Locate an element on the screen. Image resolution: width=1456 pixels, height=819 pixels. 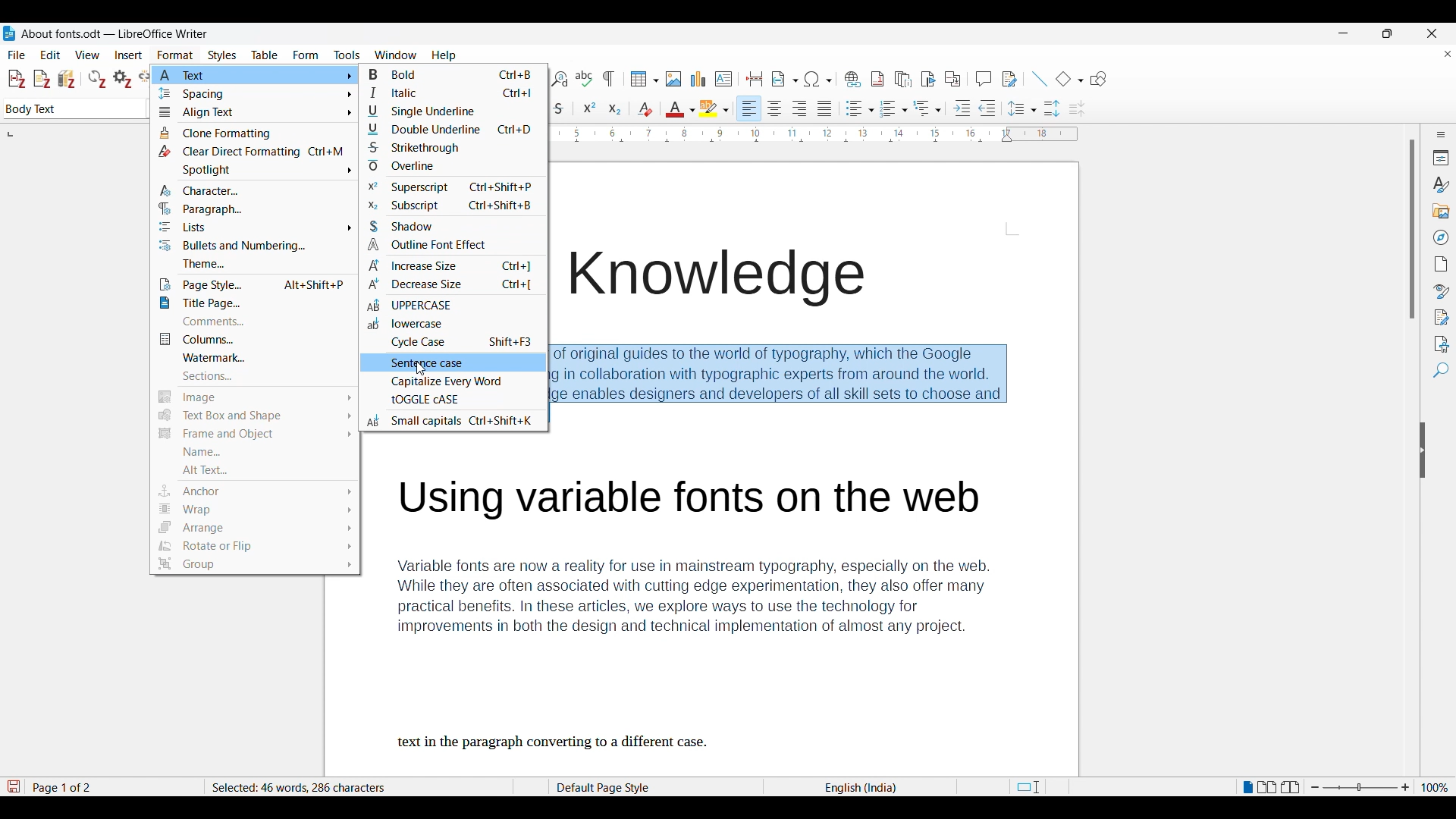
Image is located at coordinates (253, 397).